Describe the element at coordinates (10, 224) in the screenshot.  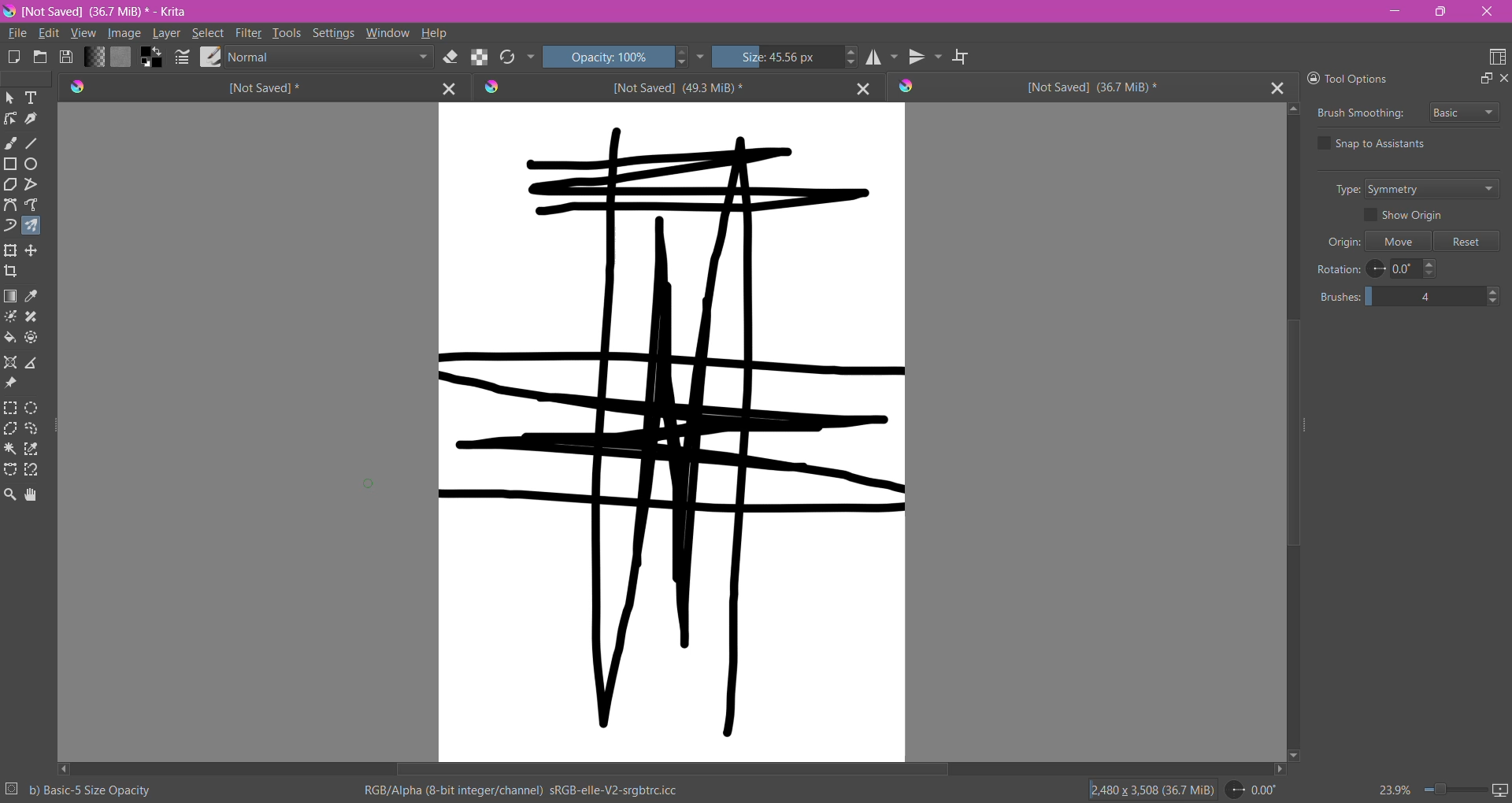
I see `Dynamic Brush Tool` at that location.